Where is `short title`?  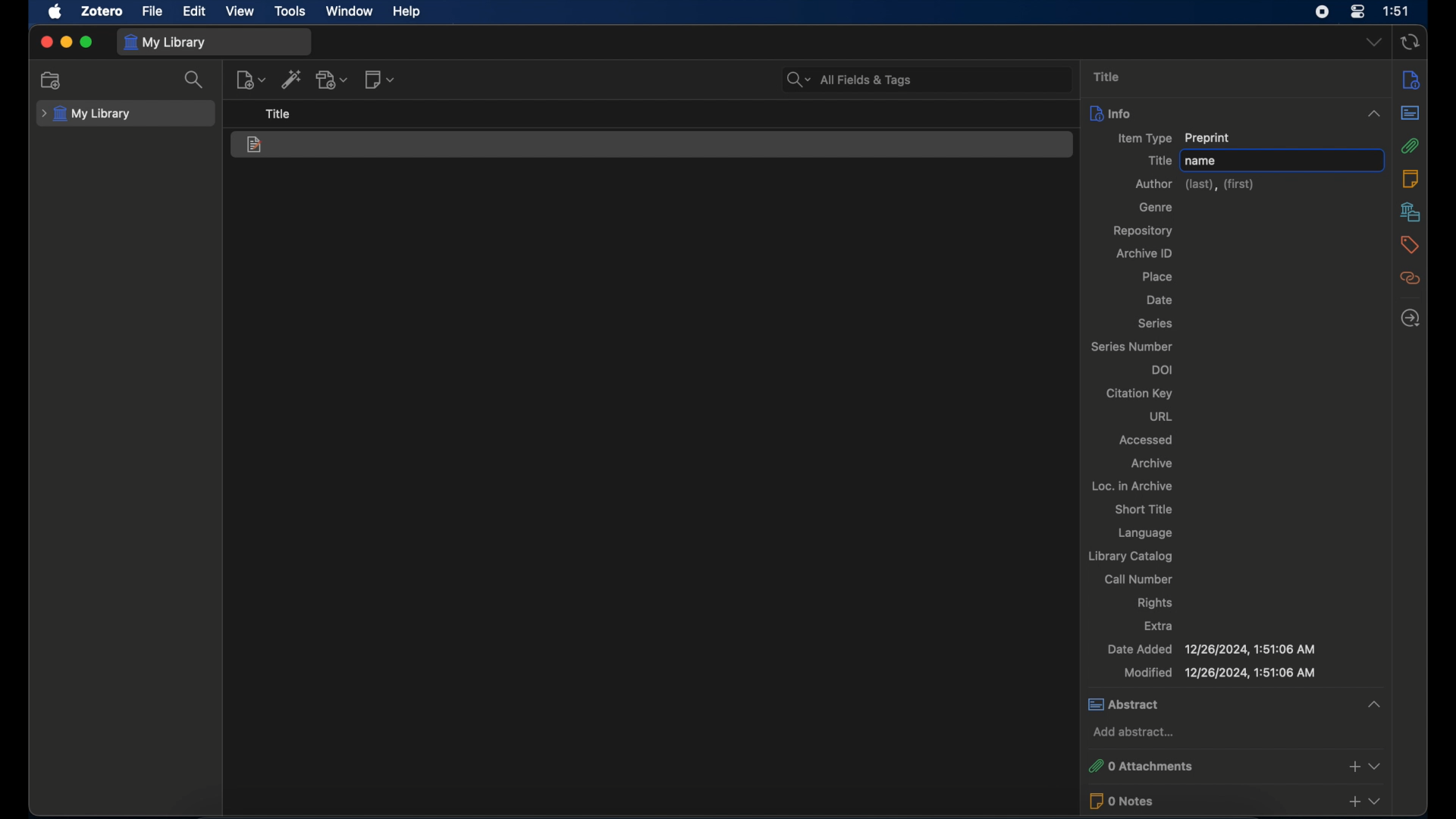
short title is located at coordinates (1146, 509).